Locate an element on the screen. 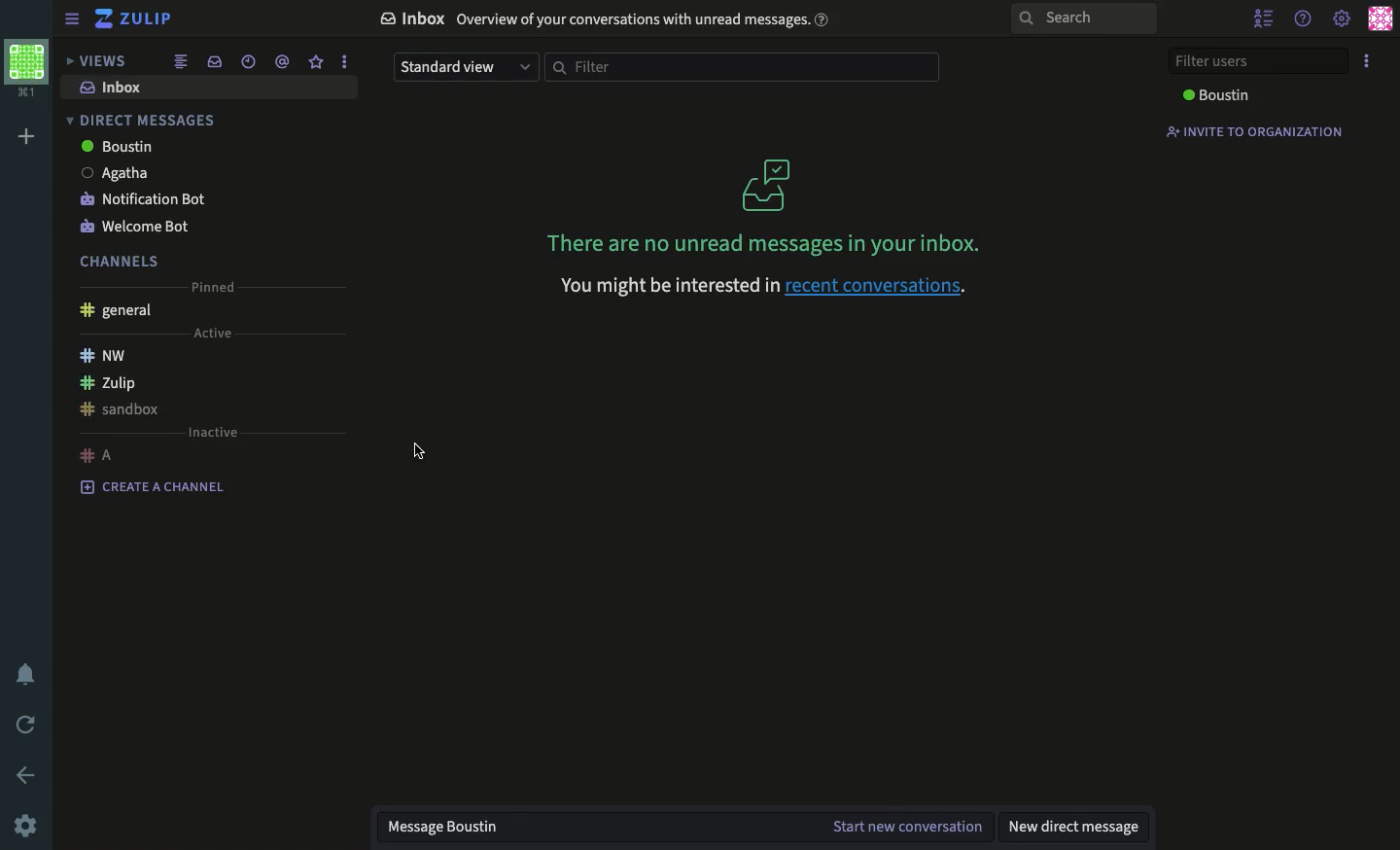  active is located at coordinates (214, 333).